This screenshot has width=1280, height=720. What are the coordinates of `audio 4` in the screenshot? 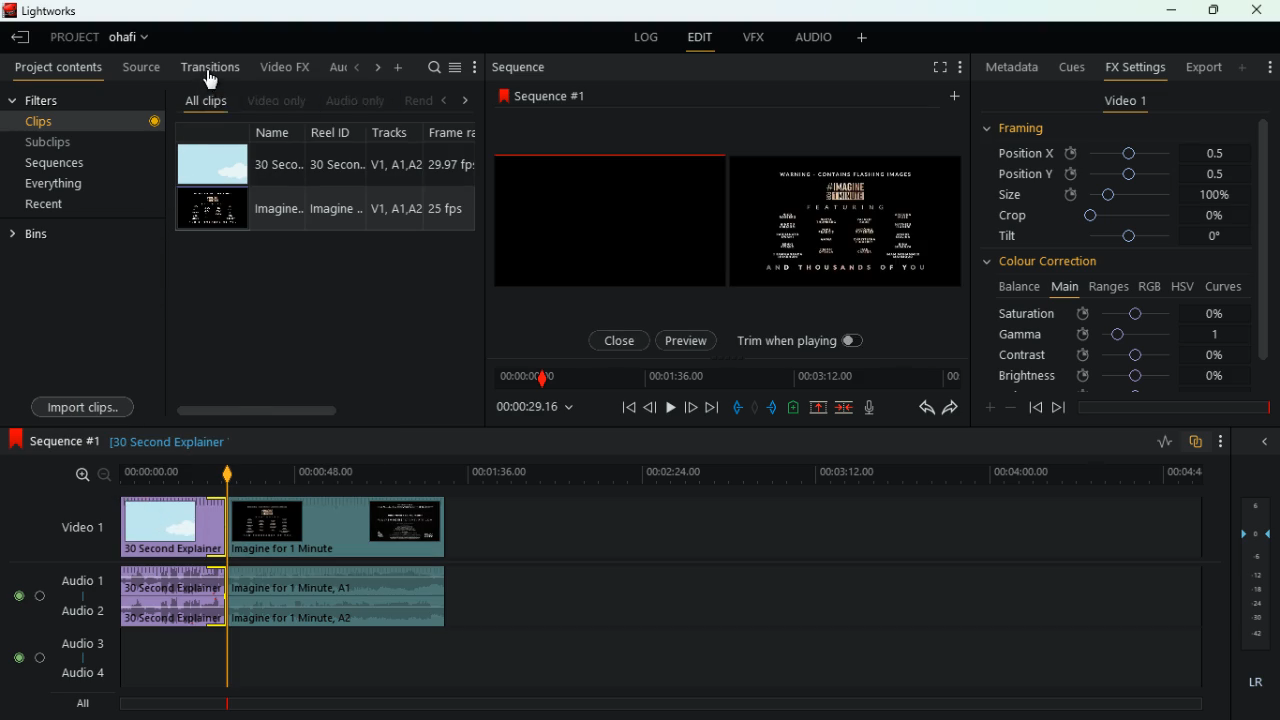 It's located at (82, 674).